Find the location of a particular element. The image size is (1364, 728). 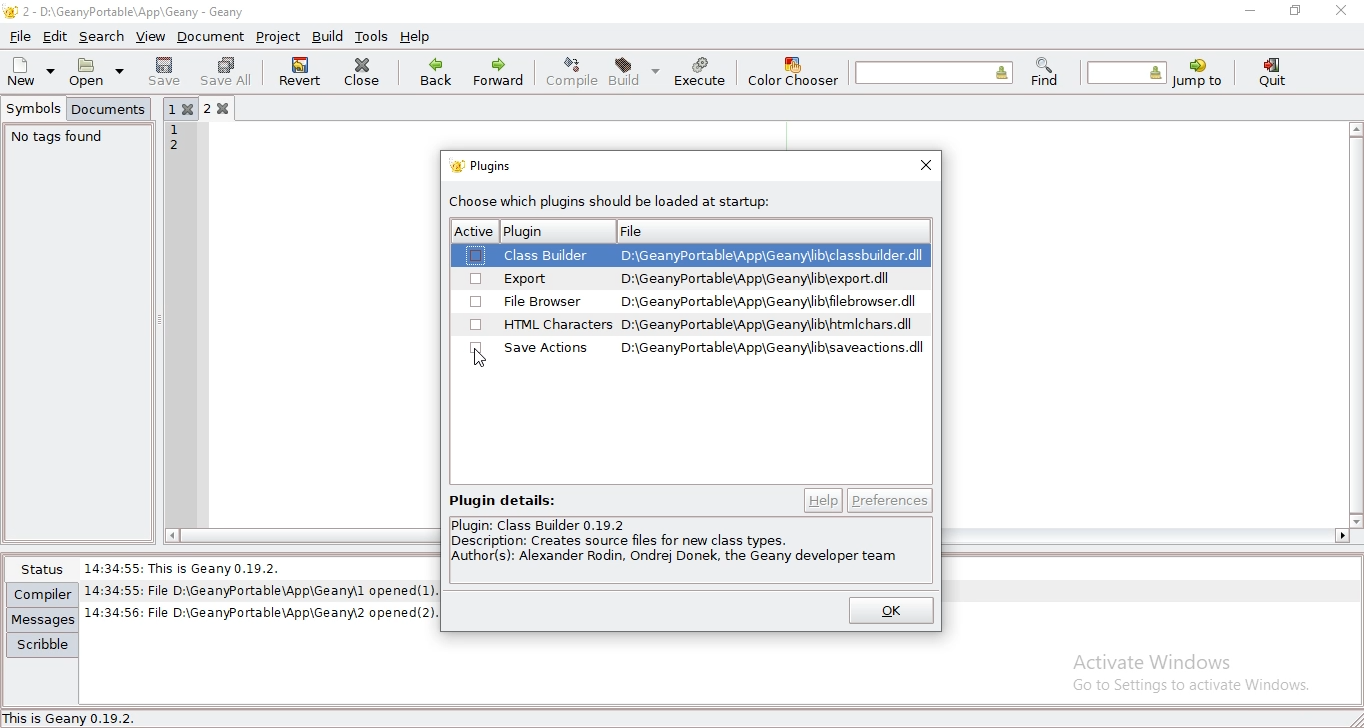

jump to is located at coordinates (1196, 74).